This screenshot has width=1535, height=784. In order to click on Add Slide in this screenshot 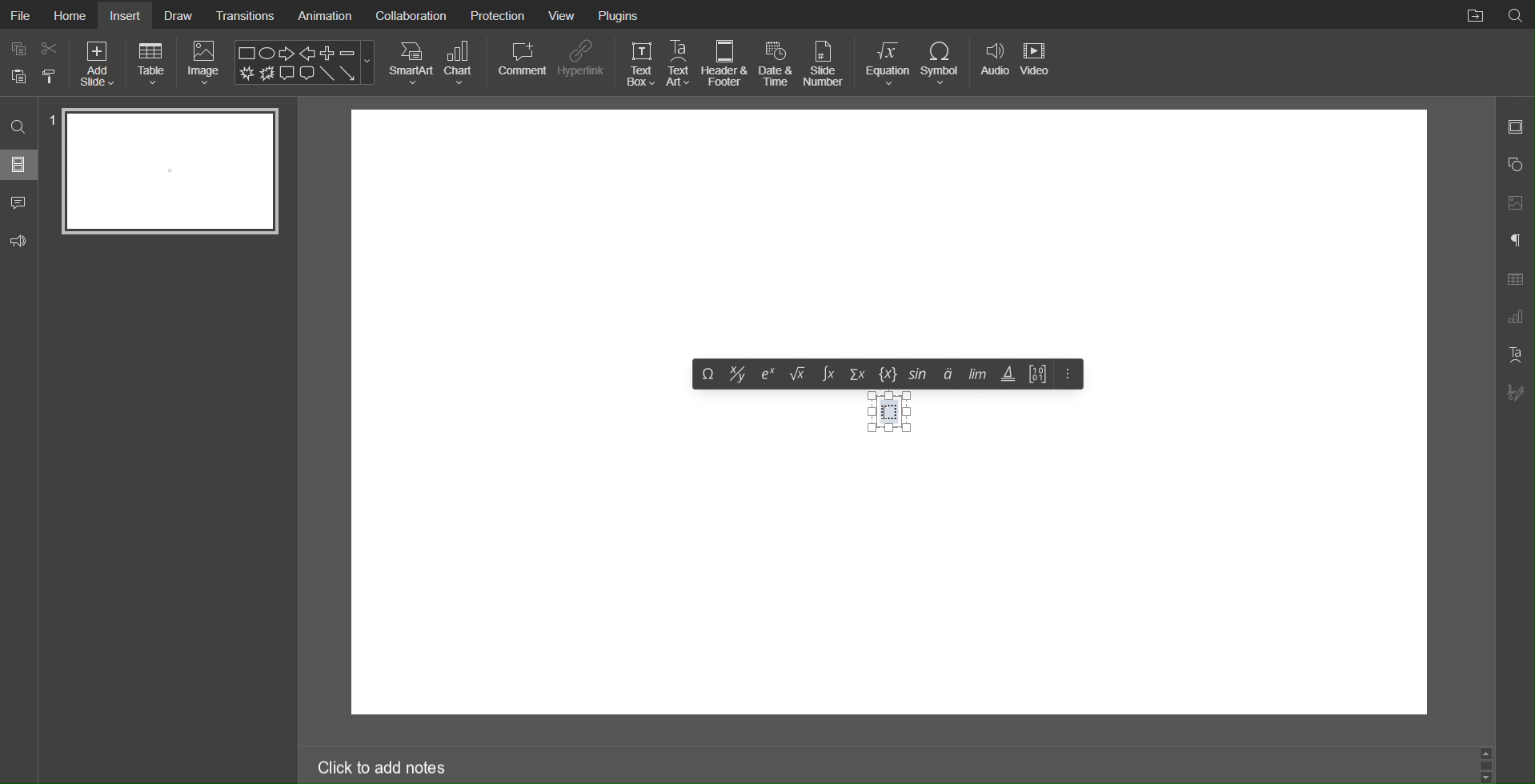, I will do `click(98, 65)`.